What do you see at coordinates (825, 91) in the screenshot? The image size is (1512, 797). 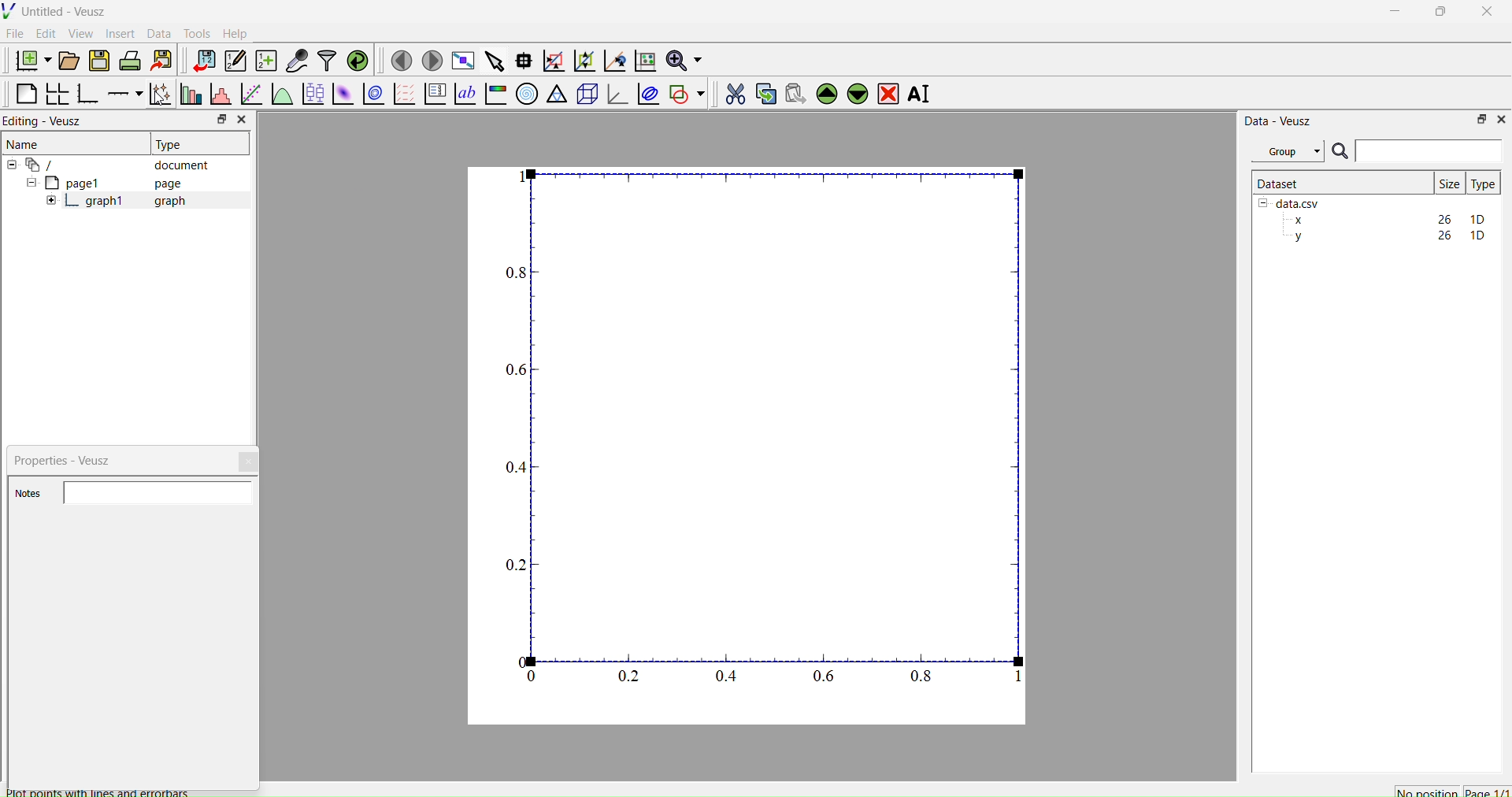 I see `Up` at bounding box center [825, 91].